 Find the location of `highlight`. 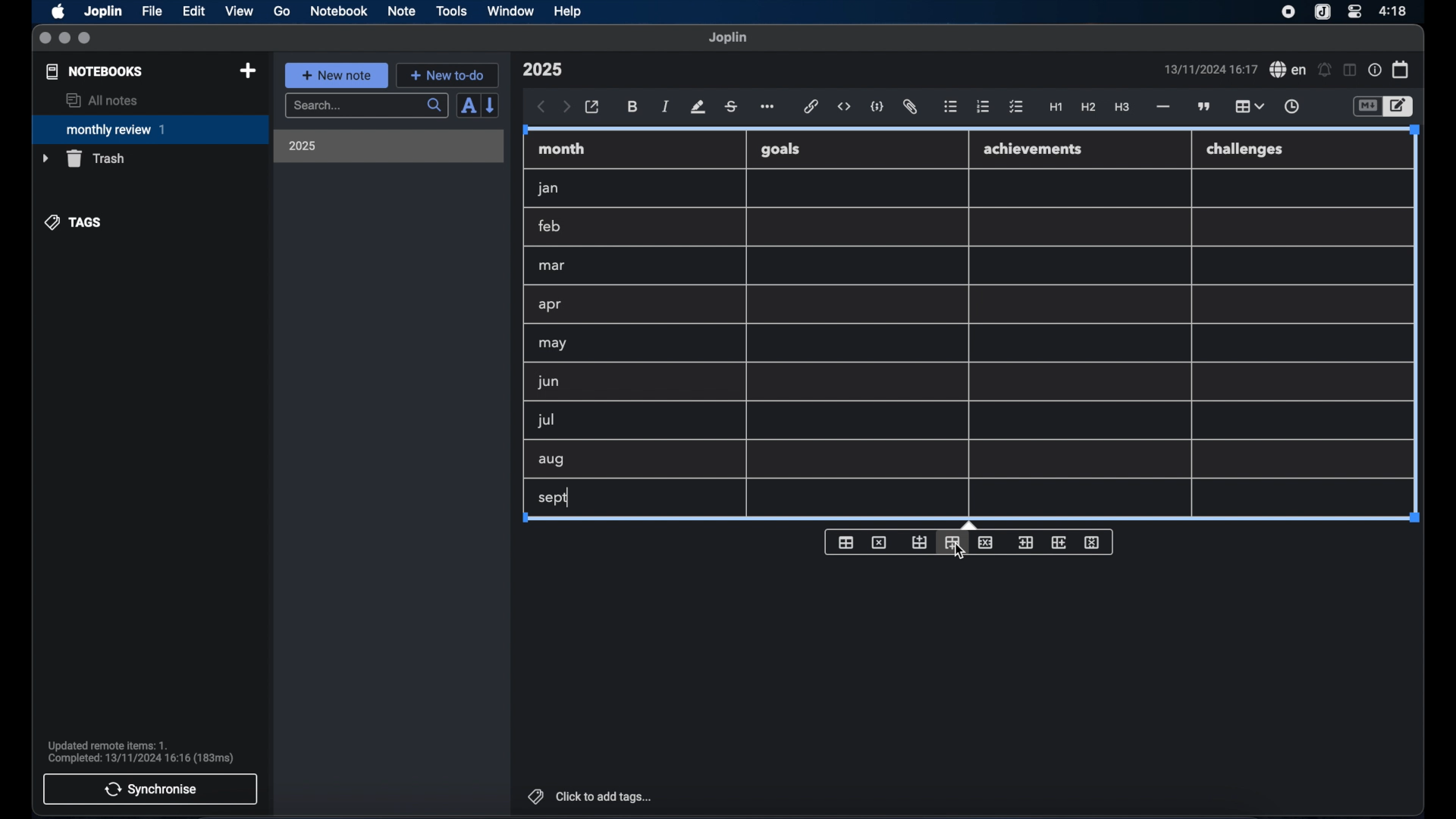

highlight is located at coordinates (698, 107).